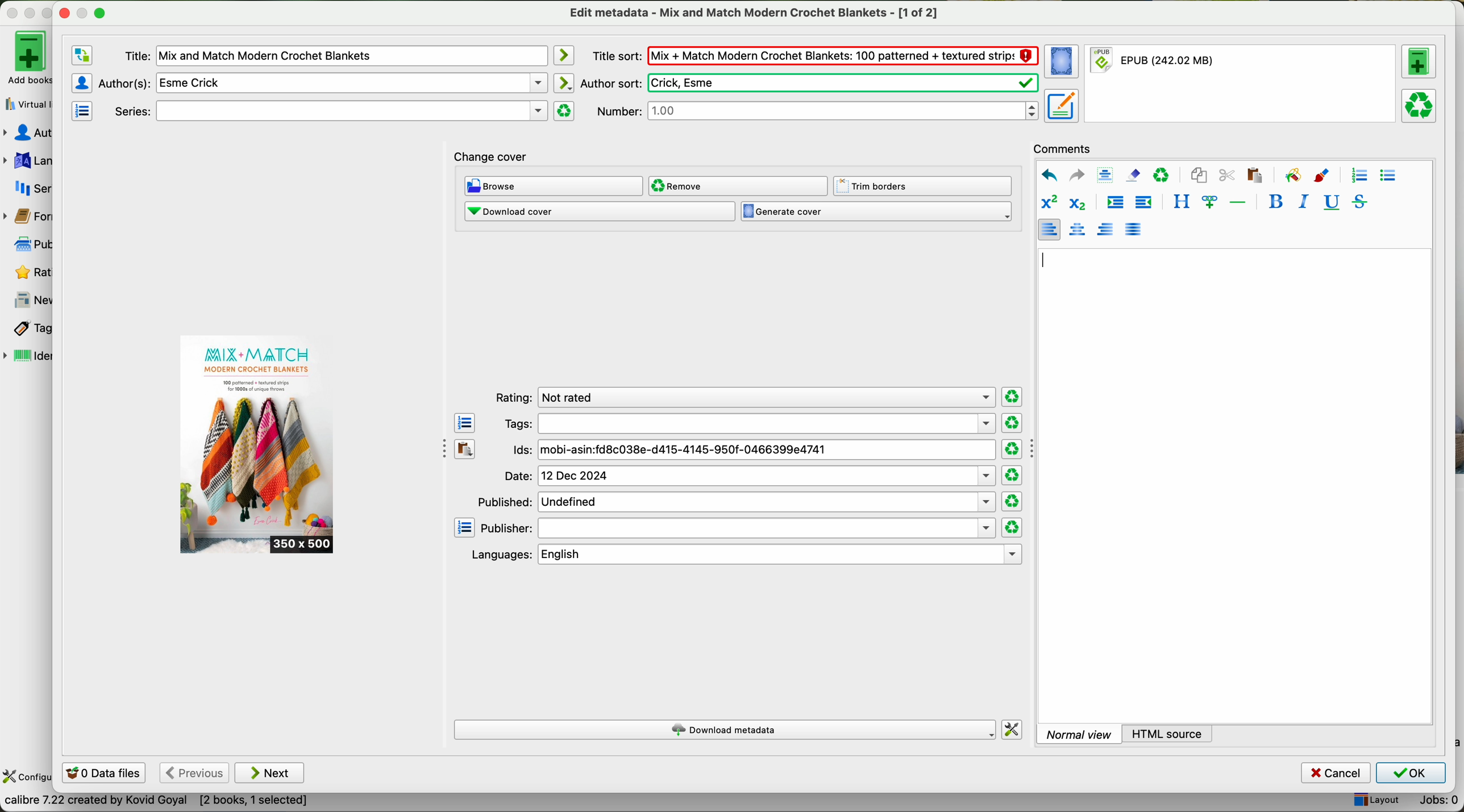  I want to click on change how calibre downloads metadata, so click(1013, 730).